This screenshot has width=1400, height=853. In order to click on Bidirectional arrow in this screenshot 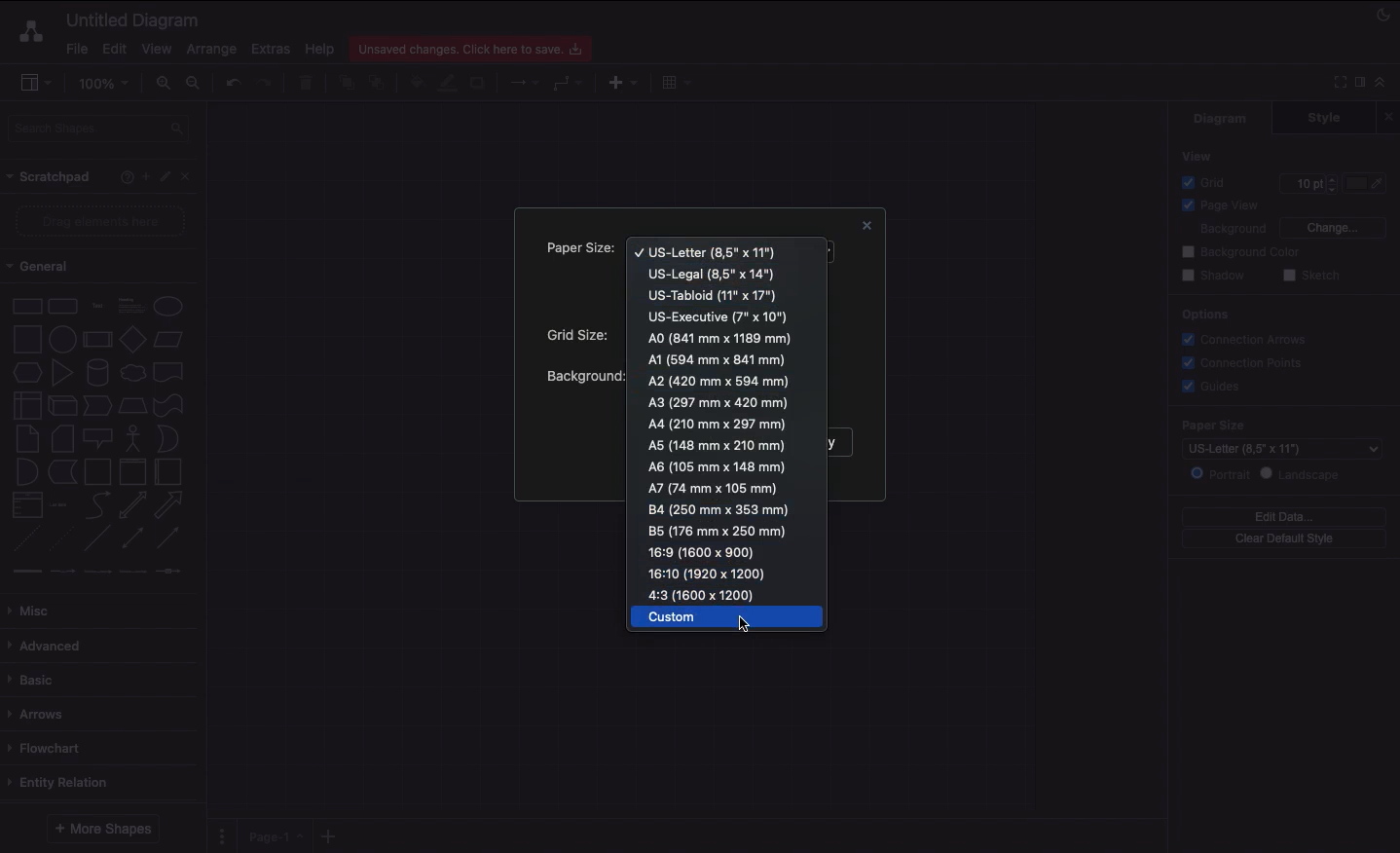, I will do `click(132, 504)`.